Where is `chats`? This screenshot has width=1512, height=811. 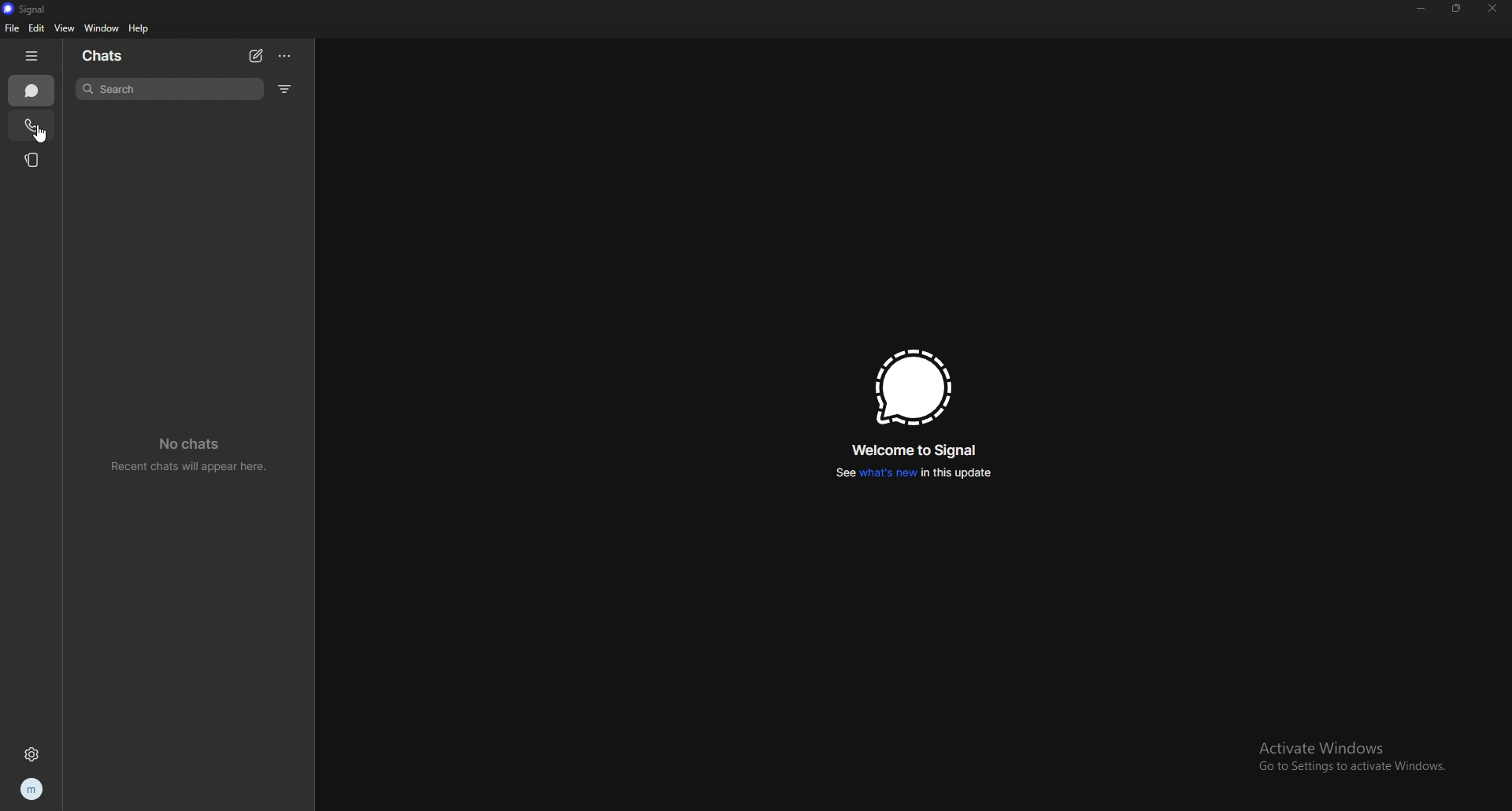
chats is located at coordinates (32, 91).